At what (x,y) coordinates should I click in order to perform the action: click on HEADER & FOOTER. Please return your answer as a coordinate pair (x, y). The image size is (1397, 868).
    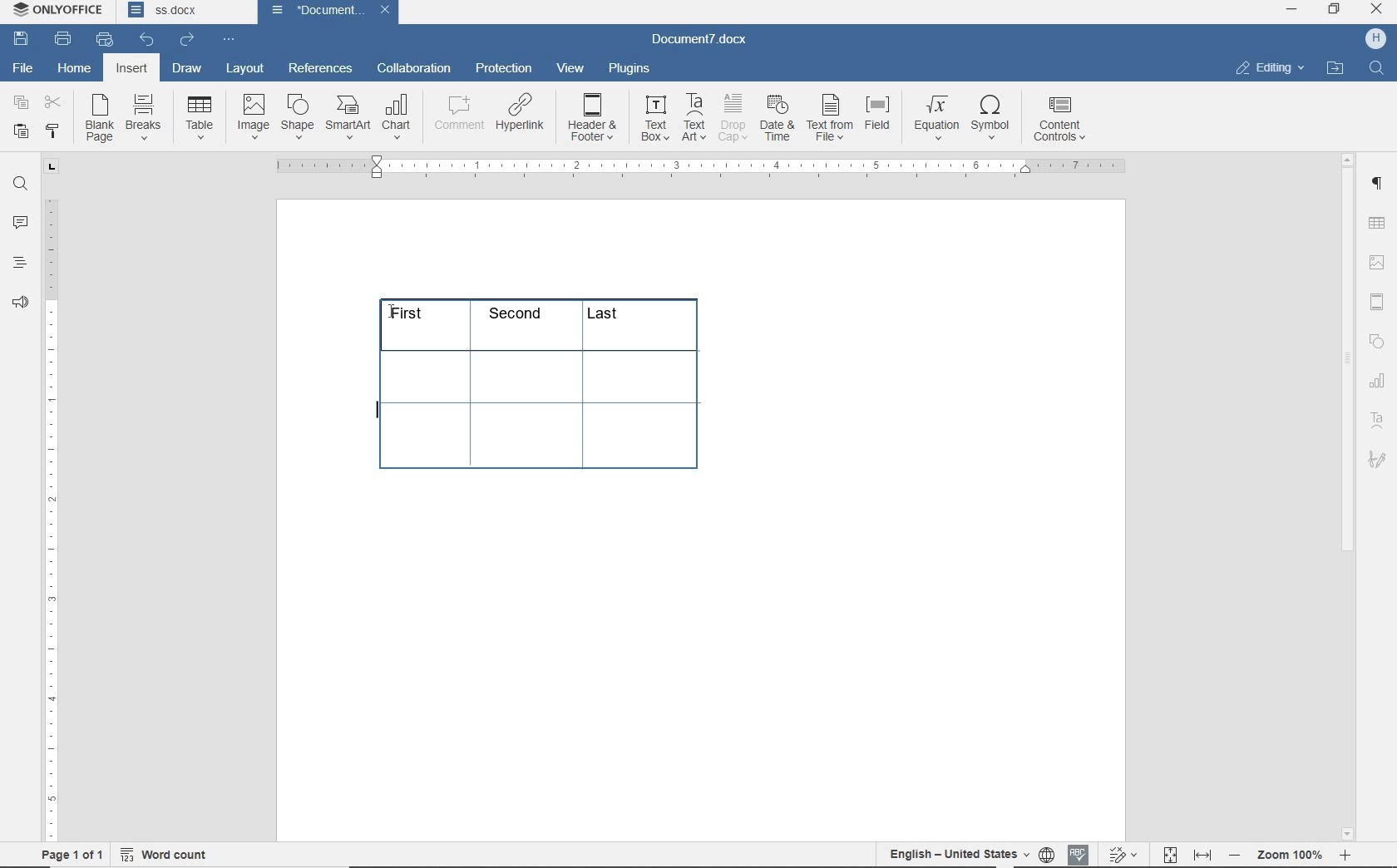
    Looking at the image, I should click on (1376, 303).